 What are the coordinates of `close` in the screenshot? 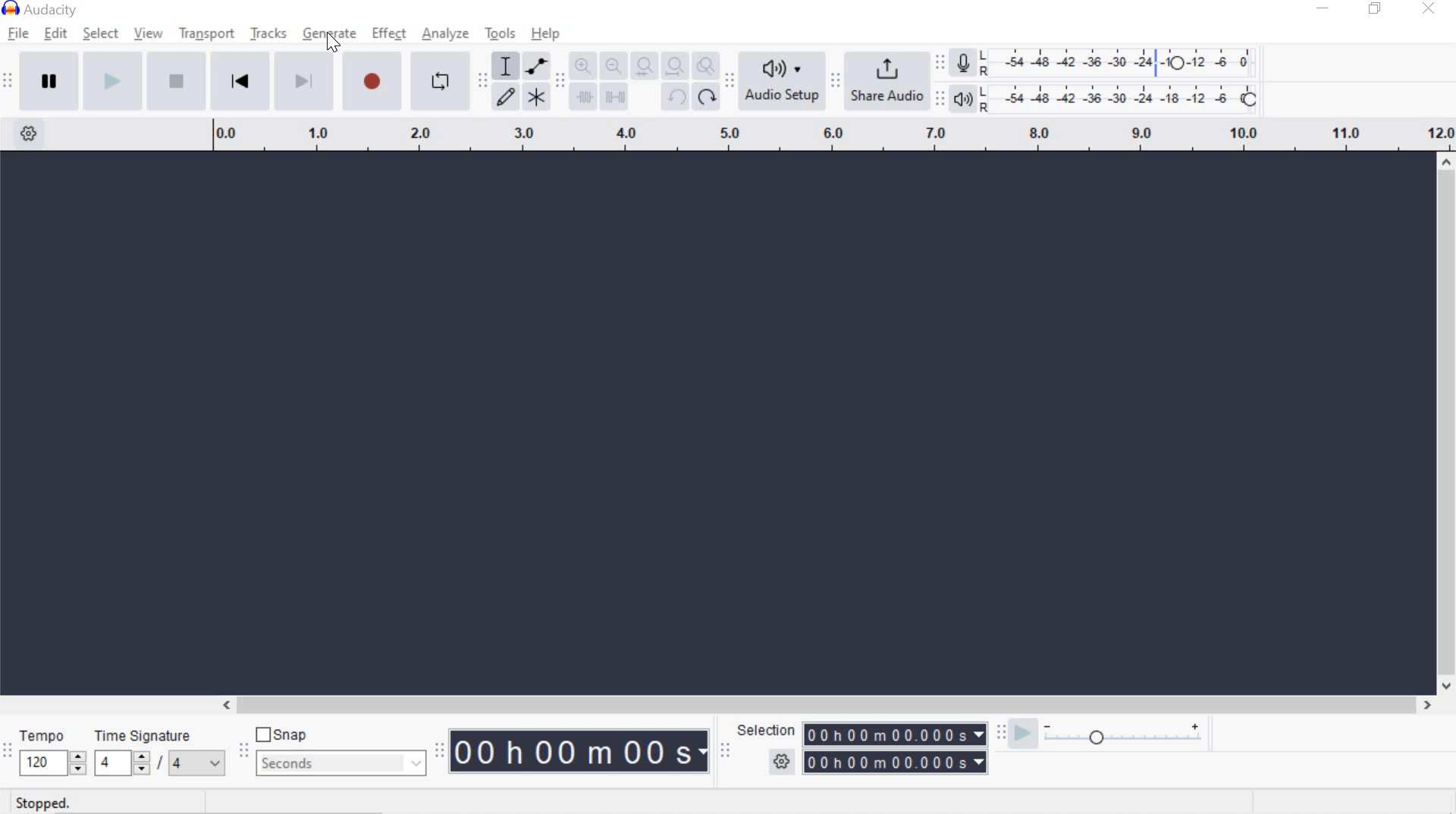 It's located at (1429, 8).